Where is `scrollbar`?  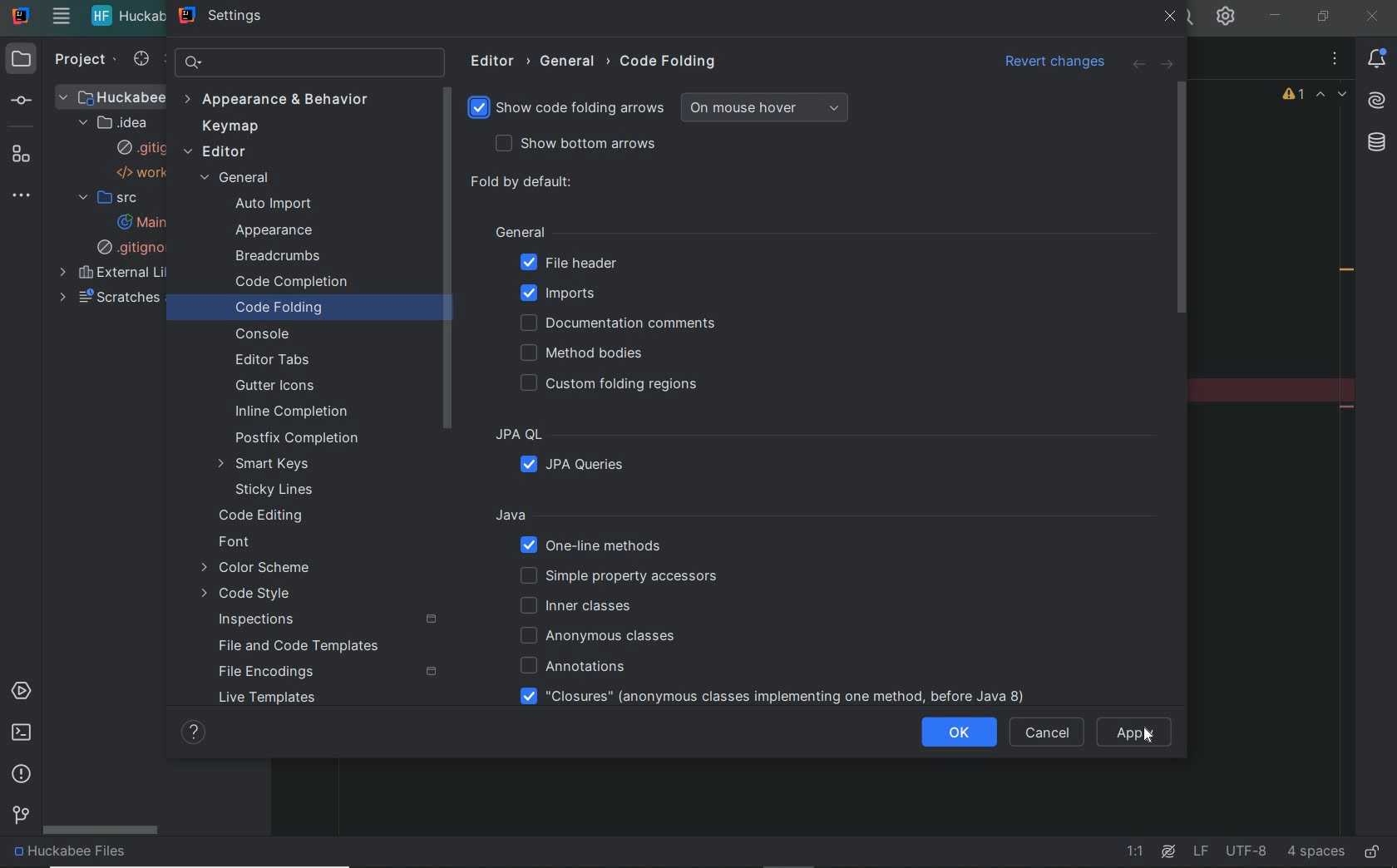 scrollbar is located at coordinates (1183, 204).